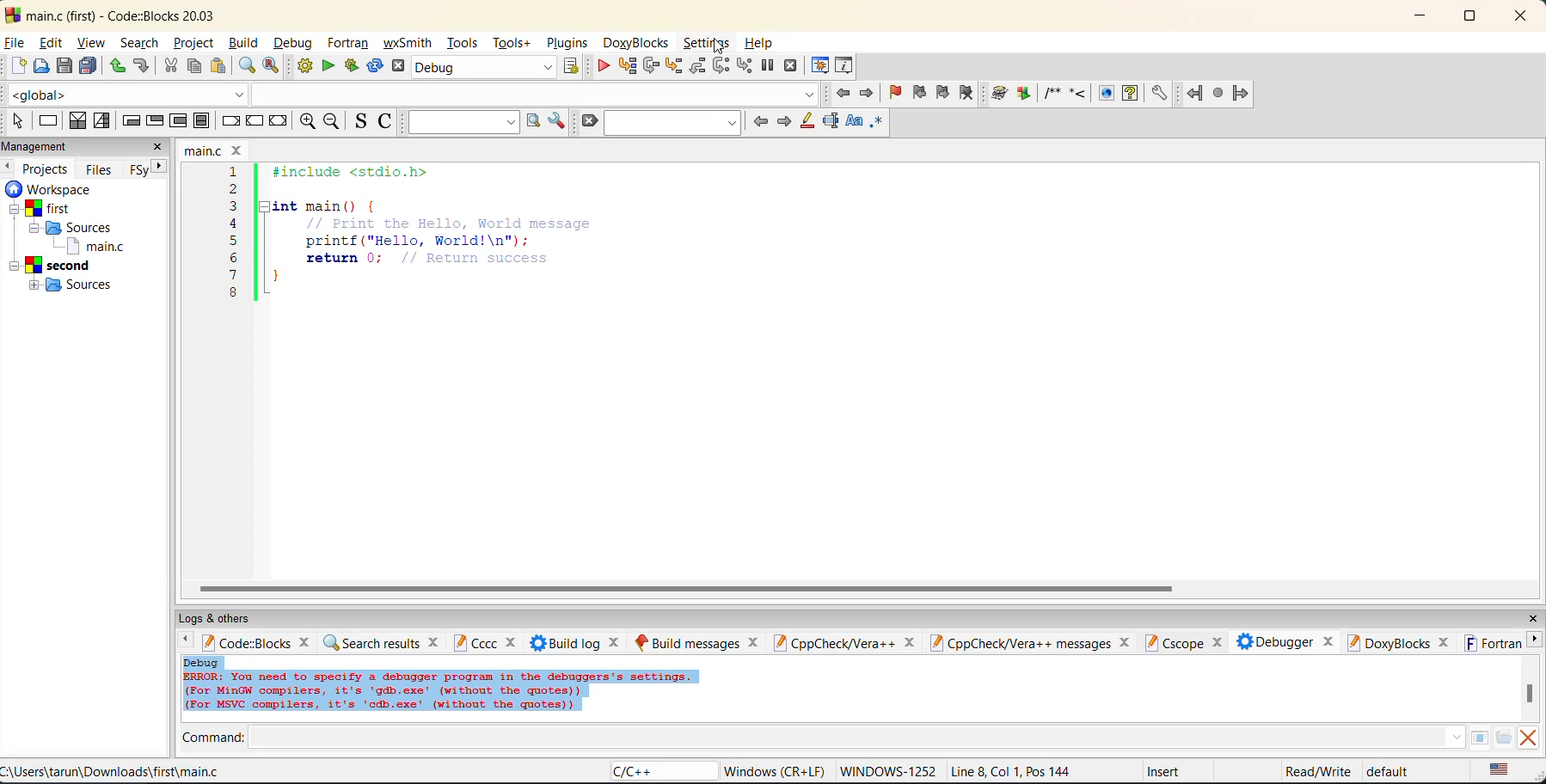  What do you see at coordinates (20, 67) in the screenshot?
I see `new file` at bounding box center [20, 67].